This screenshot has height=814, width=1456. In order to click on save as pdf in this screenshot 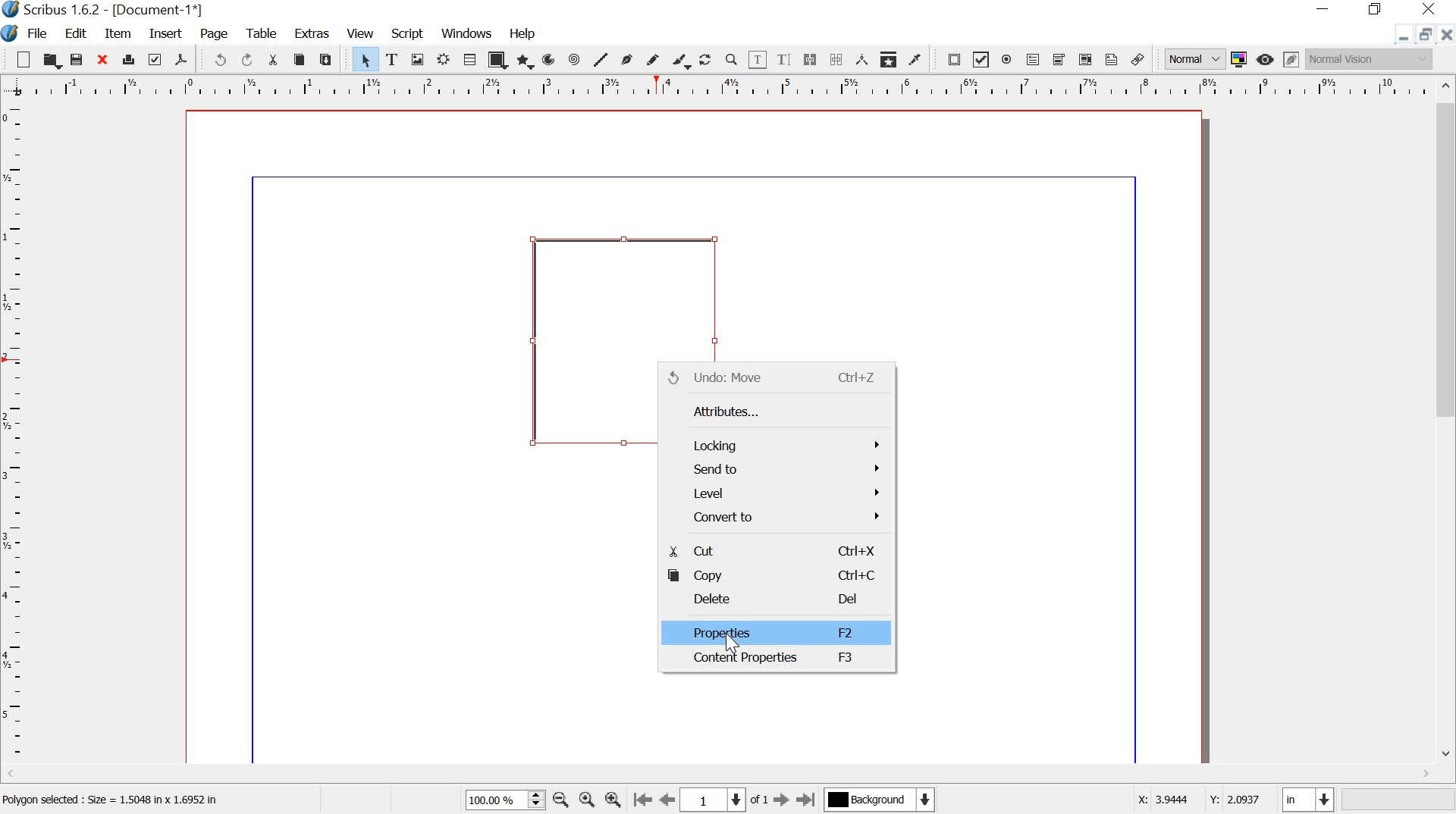, I will do `click(184, 60)`.